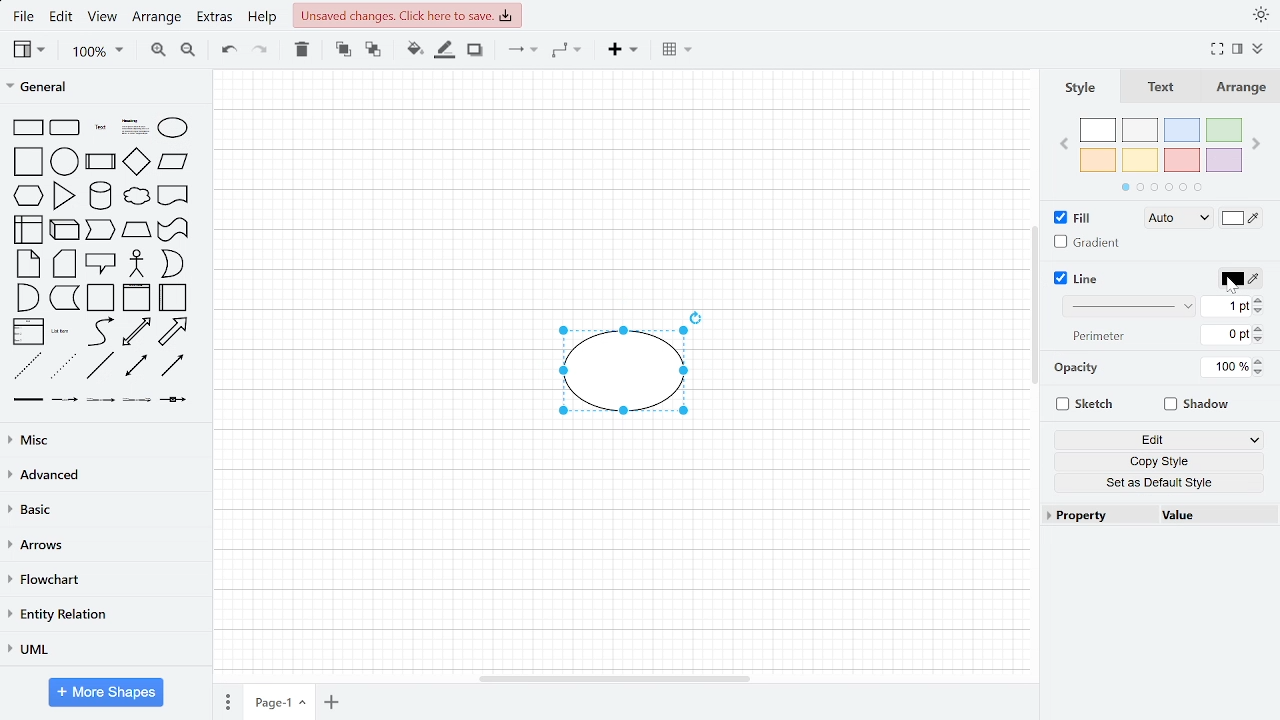 This screenshot has width=1280, height=720. What do you see at coordinates (173, 129) in the screenshot?
I see `ellipse` at bounding box center [173, 129].